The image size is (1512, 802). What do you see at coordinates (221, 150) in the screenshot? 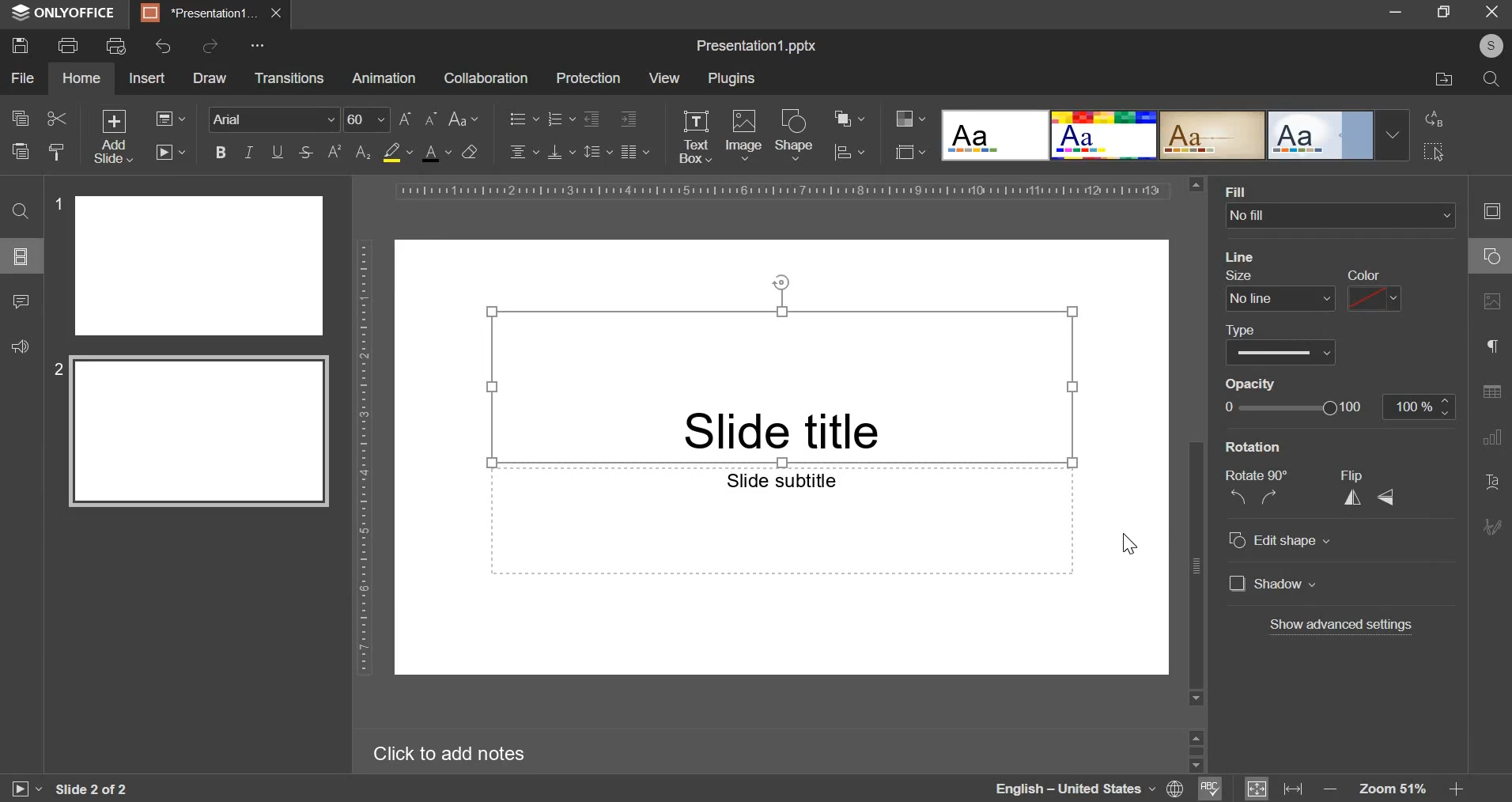
I see `bold` at bounding box center [221, 150].